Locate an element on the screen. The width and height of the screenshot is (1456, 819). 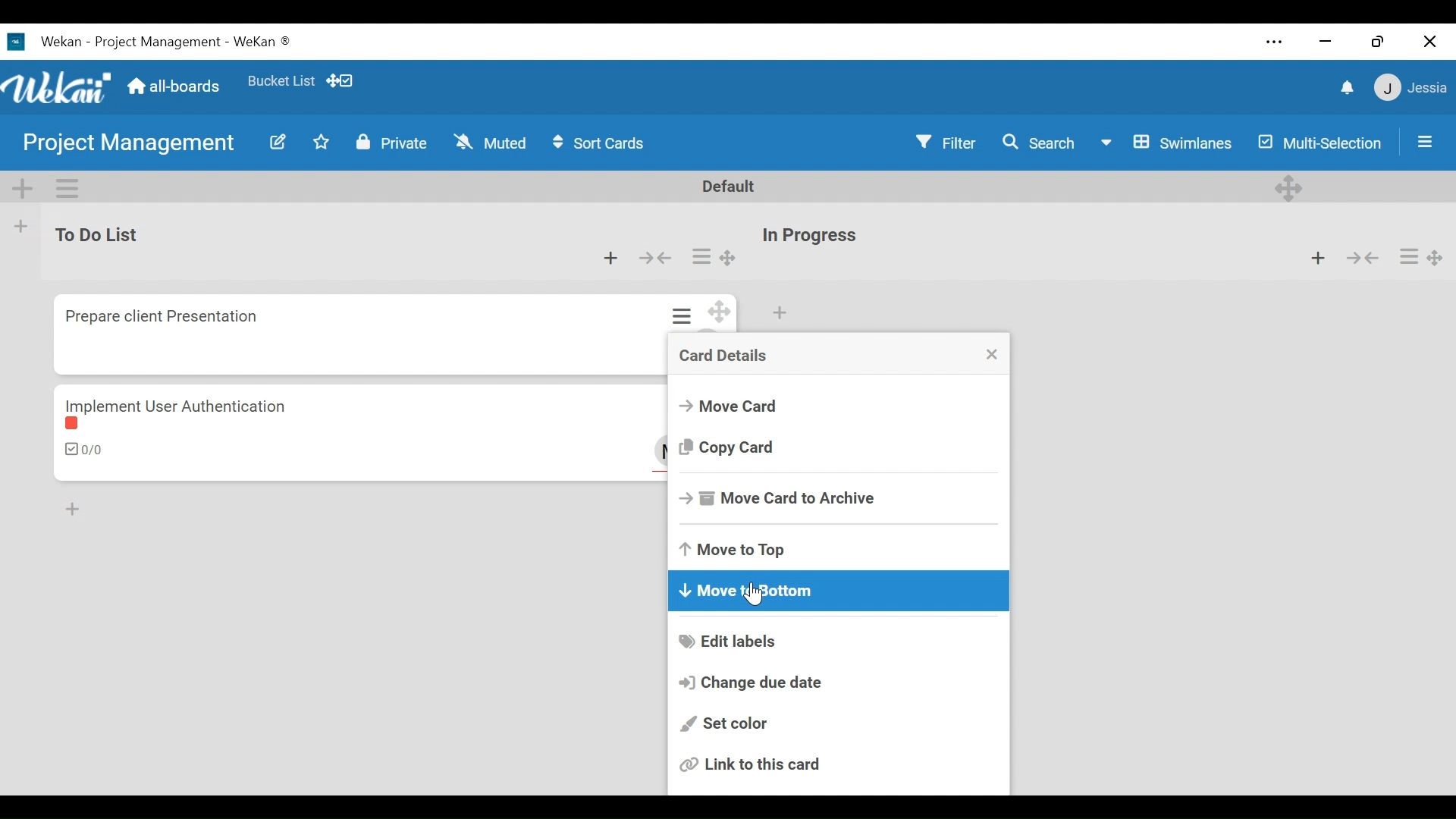
collapse is located at coordinates (1364, 259).